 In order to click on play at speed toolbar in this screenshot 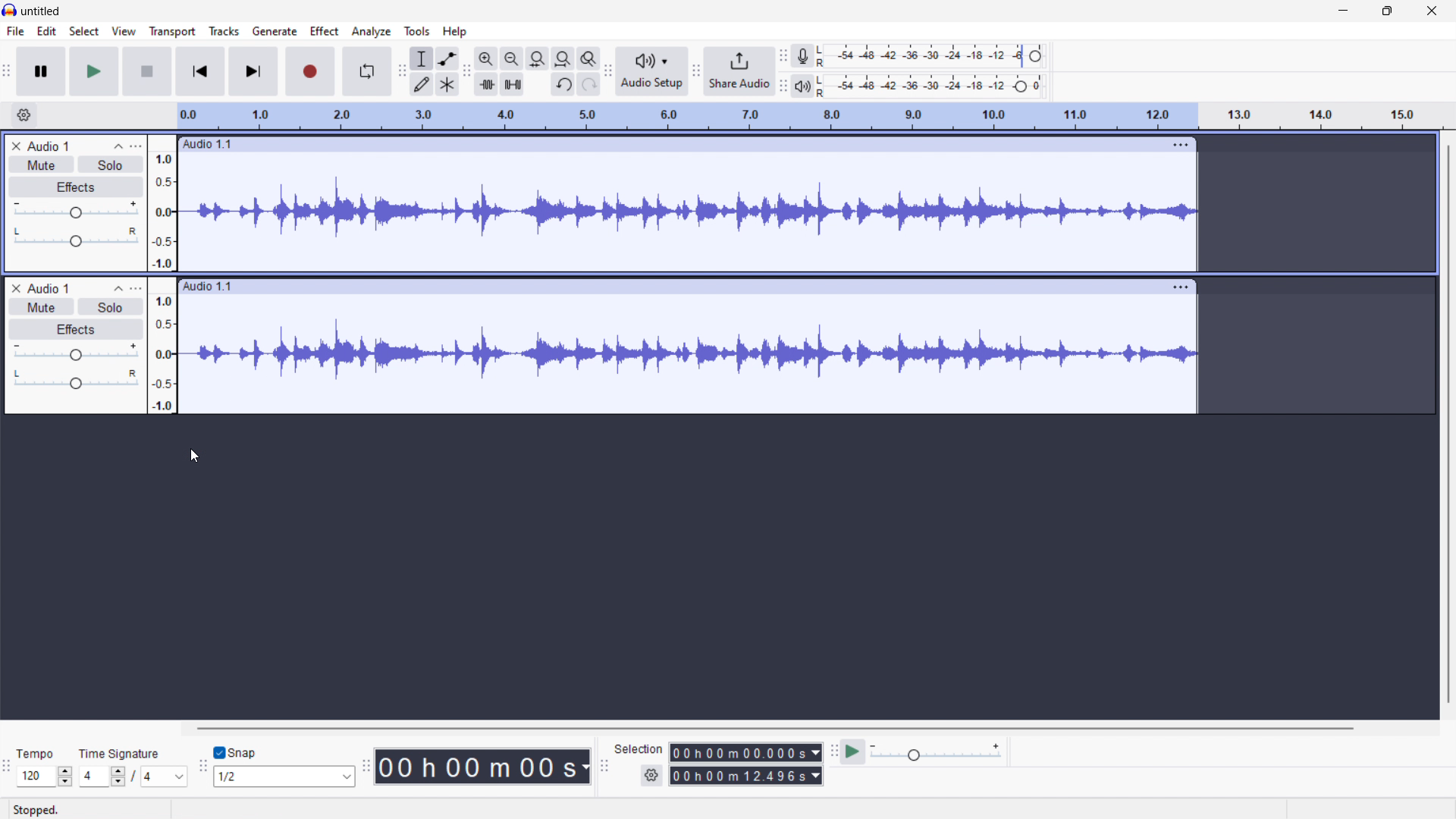, I will do `click(833, 752)`.